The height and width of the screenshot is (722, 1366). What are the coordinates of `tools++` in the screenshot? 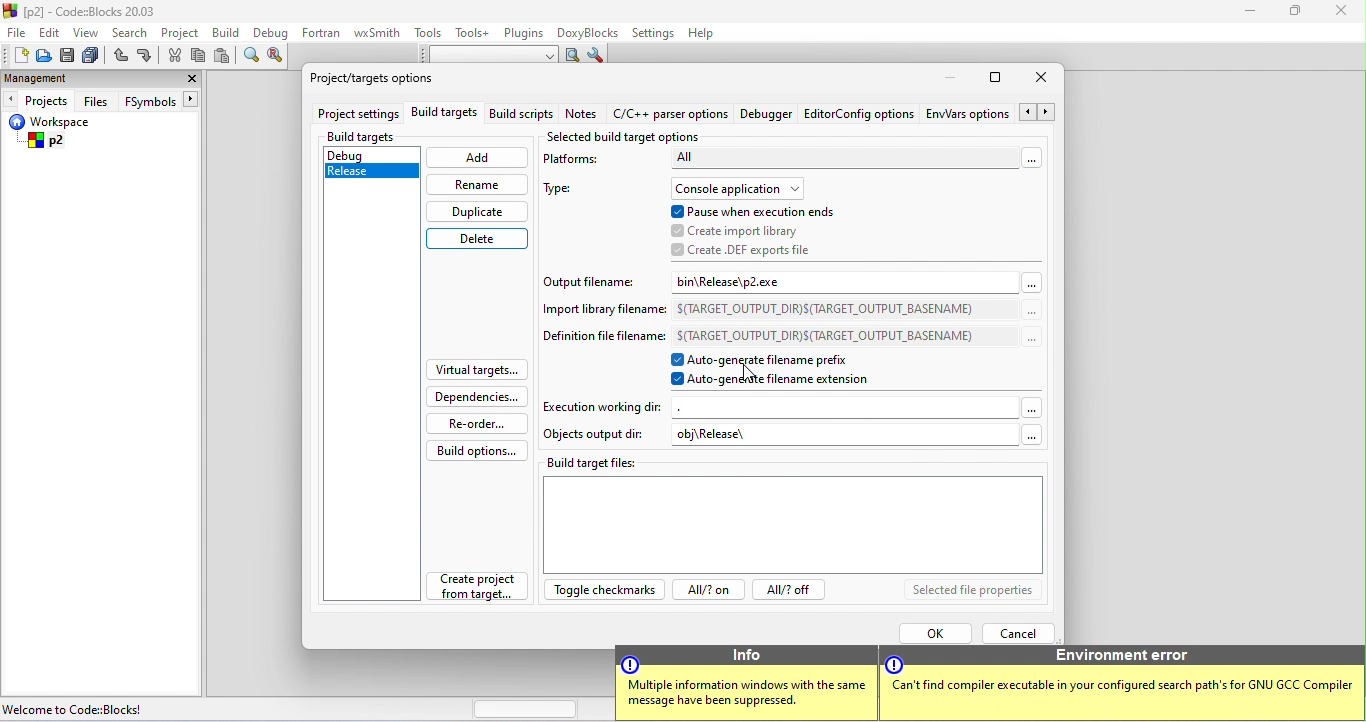 It's located at (476, 34).